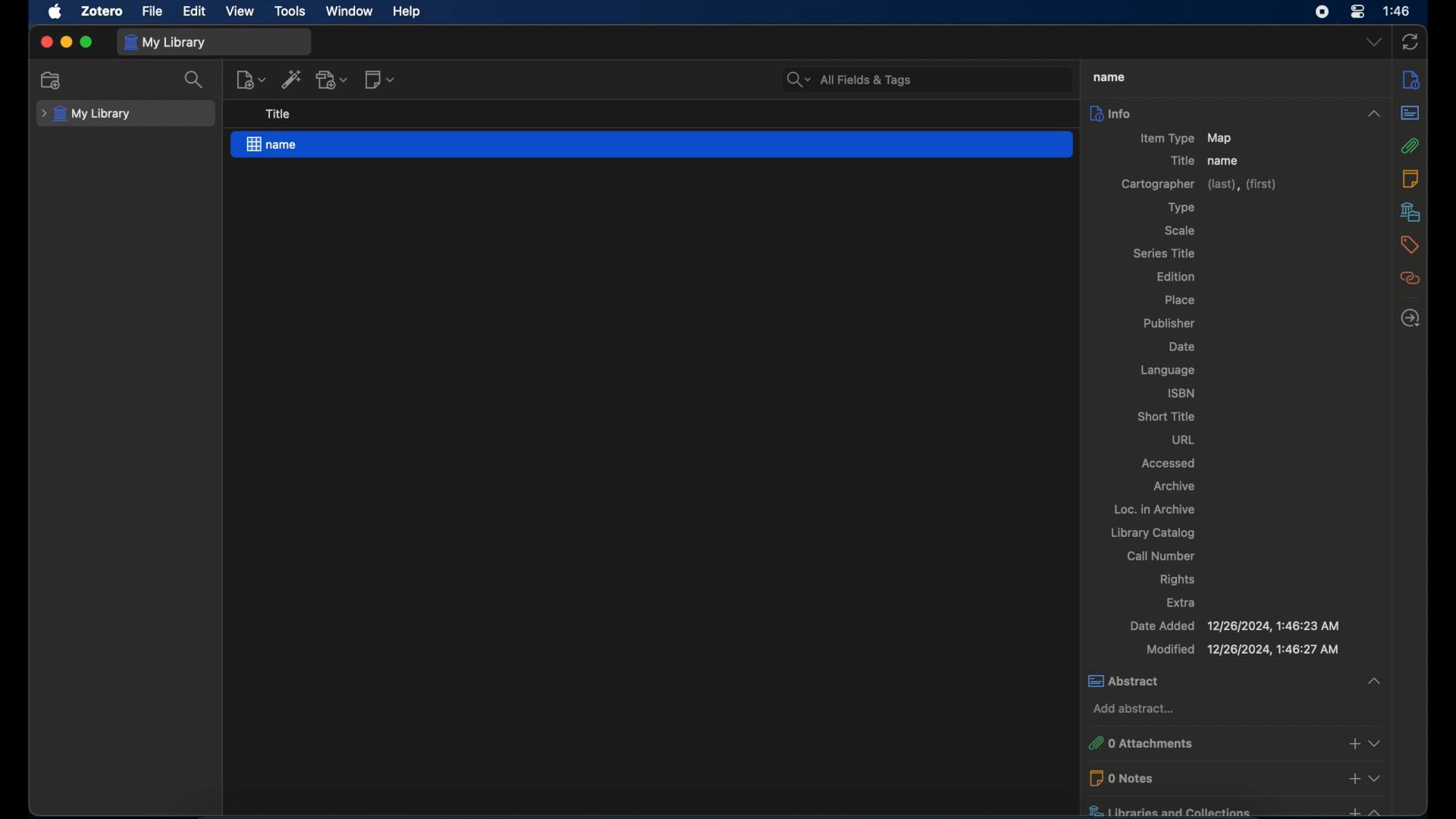 The width and height of the screenshot is (1456, 819). I want to click on language, so click(1169, 371).